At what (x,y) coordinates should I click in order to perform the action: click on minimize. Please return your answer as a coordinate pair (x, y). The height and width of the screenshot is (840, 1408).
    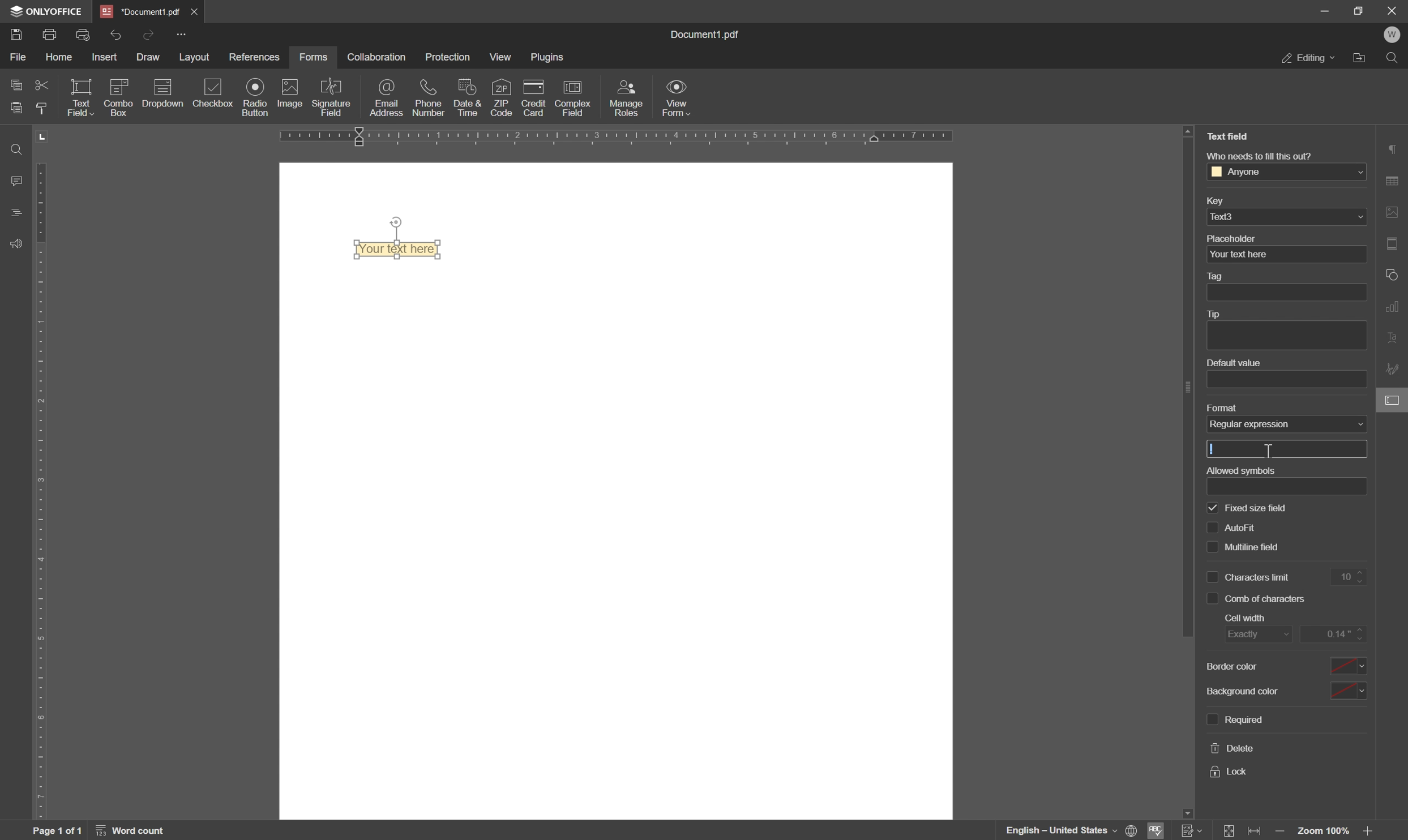
    Looking at the image, I should click on (1325, 12).